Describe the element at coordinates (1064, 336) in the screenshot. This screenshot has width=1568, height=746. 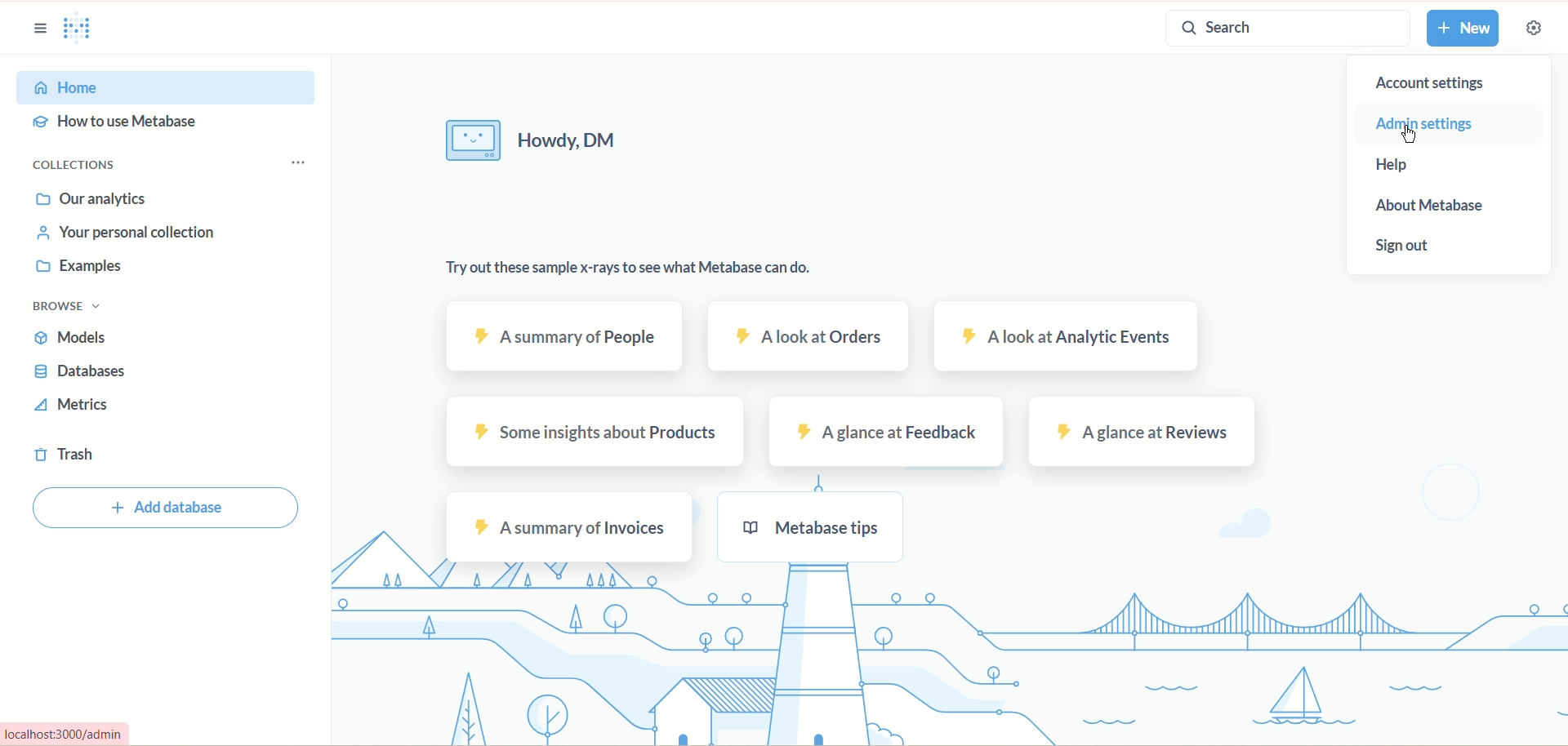
I see `a look at analytic events` at that location.